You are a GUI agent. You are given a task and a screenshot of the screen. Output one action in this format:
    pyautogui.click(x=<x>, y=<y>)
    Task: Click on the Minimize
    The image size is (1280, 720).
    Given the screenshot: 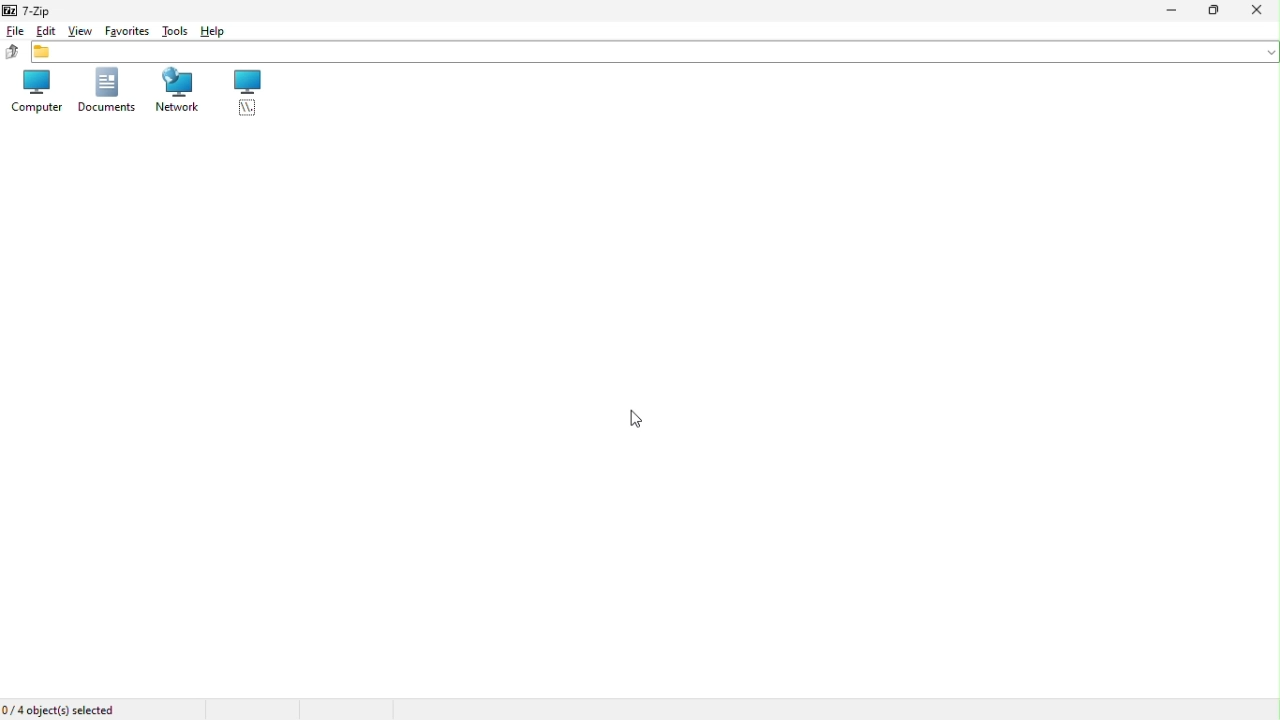 What is the action you would take?
    pyautogui.click(x=1172, y=10)
    